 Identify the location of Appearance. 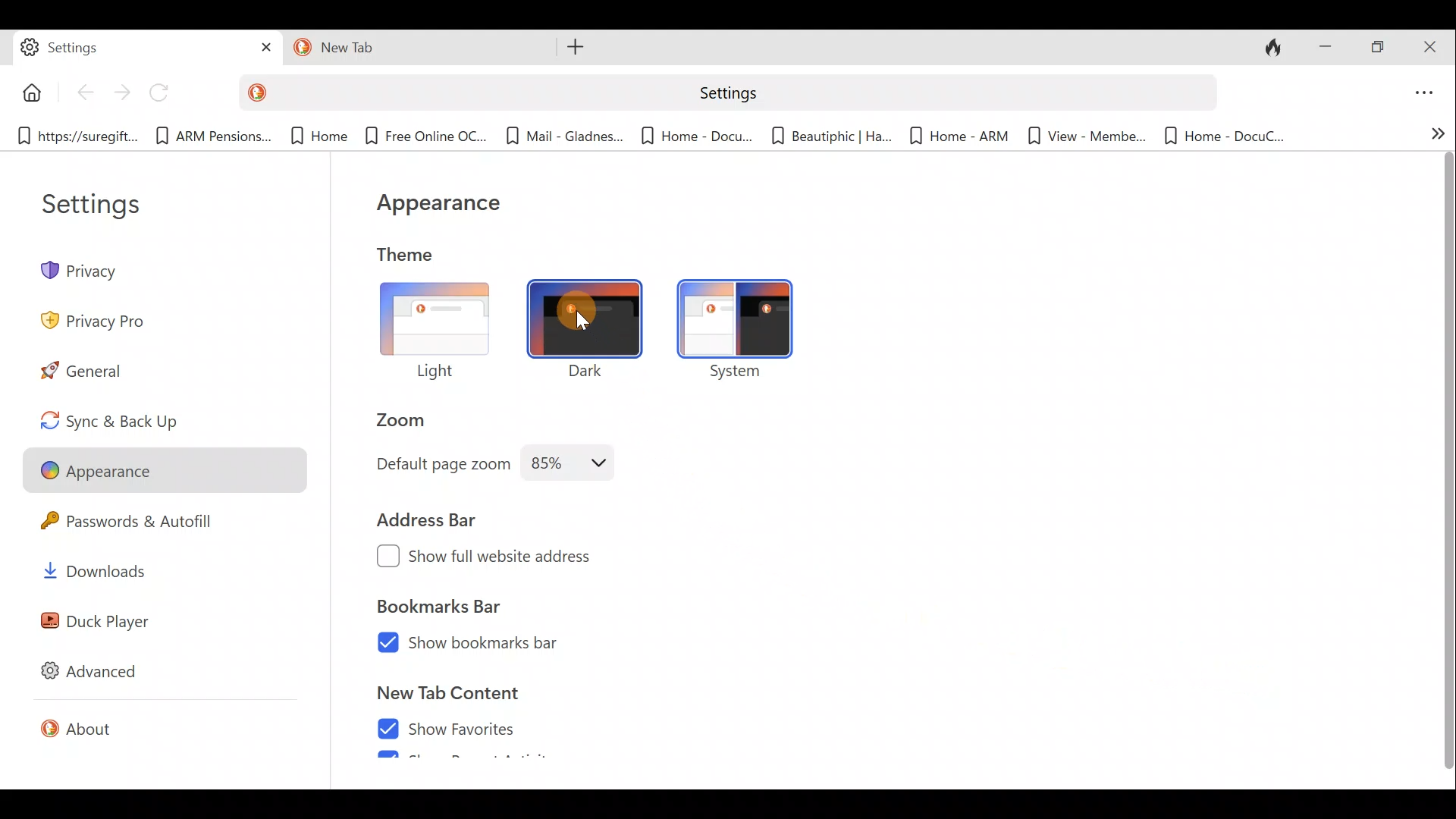
(158, 467).